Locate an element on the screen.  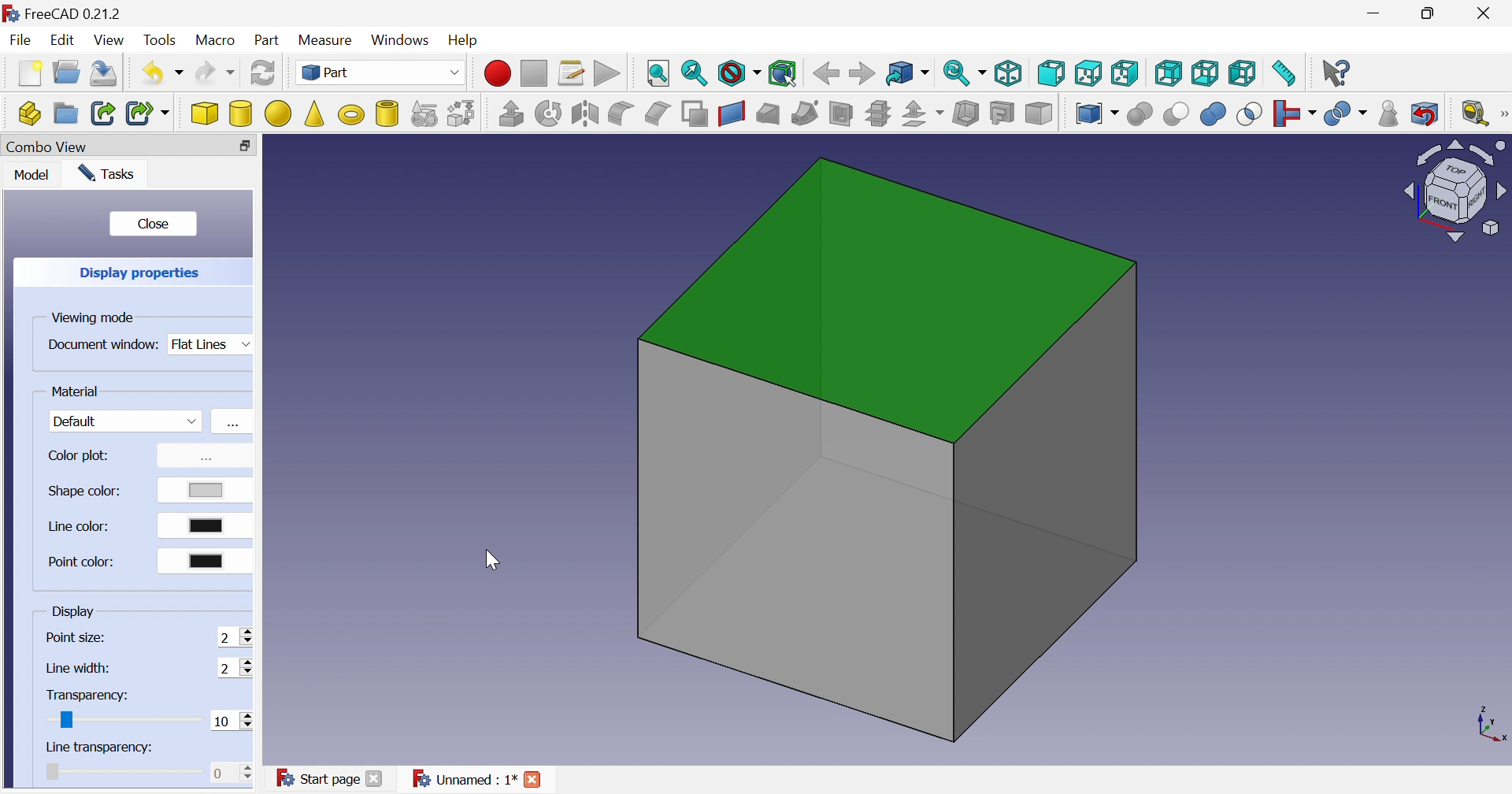
[Measure] is located at coordinates (1503, 113).